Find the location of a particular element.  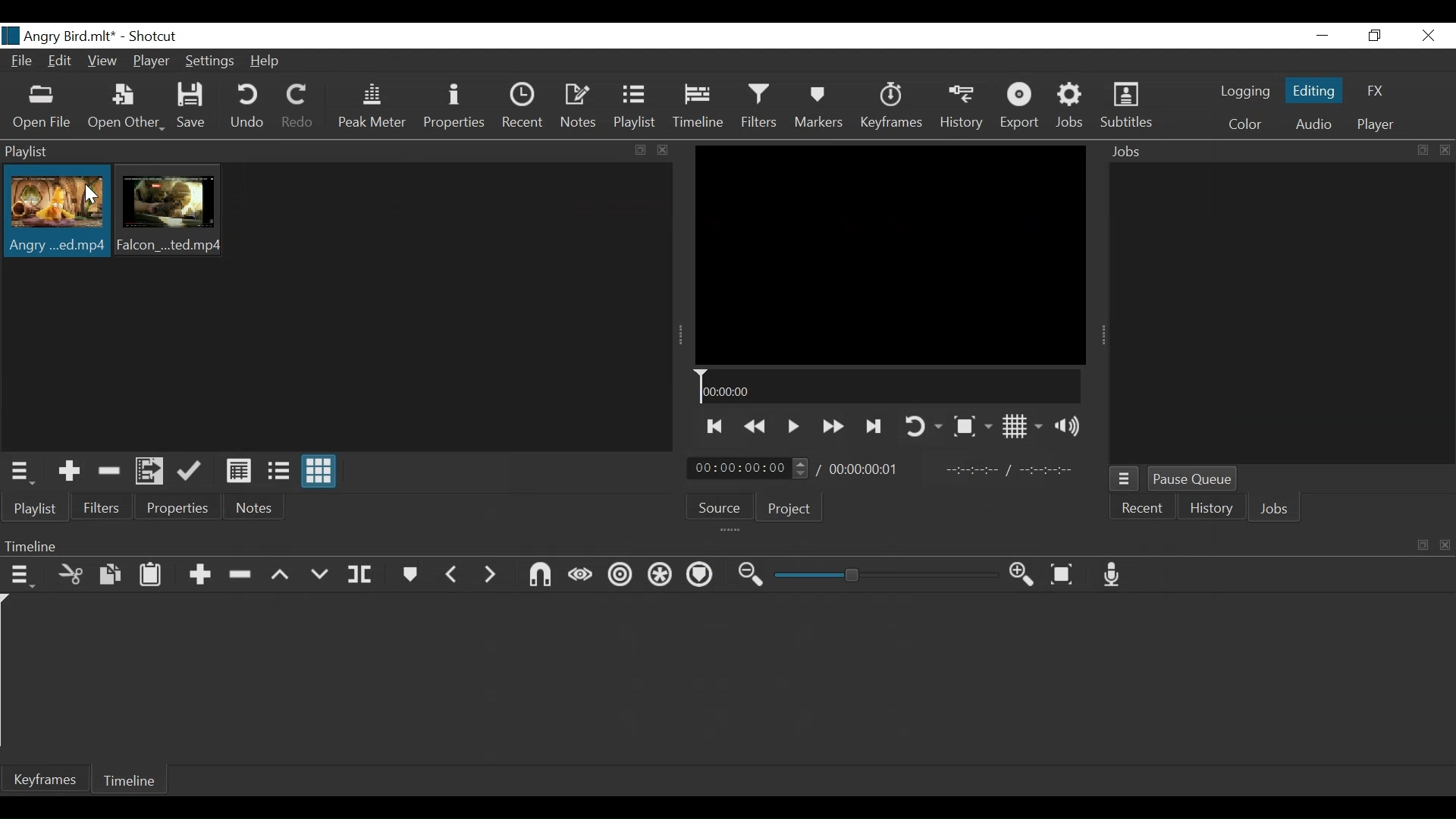

Ripple is located at coordinates (618, 576).